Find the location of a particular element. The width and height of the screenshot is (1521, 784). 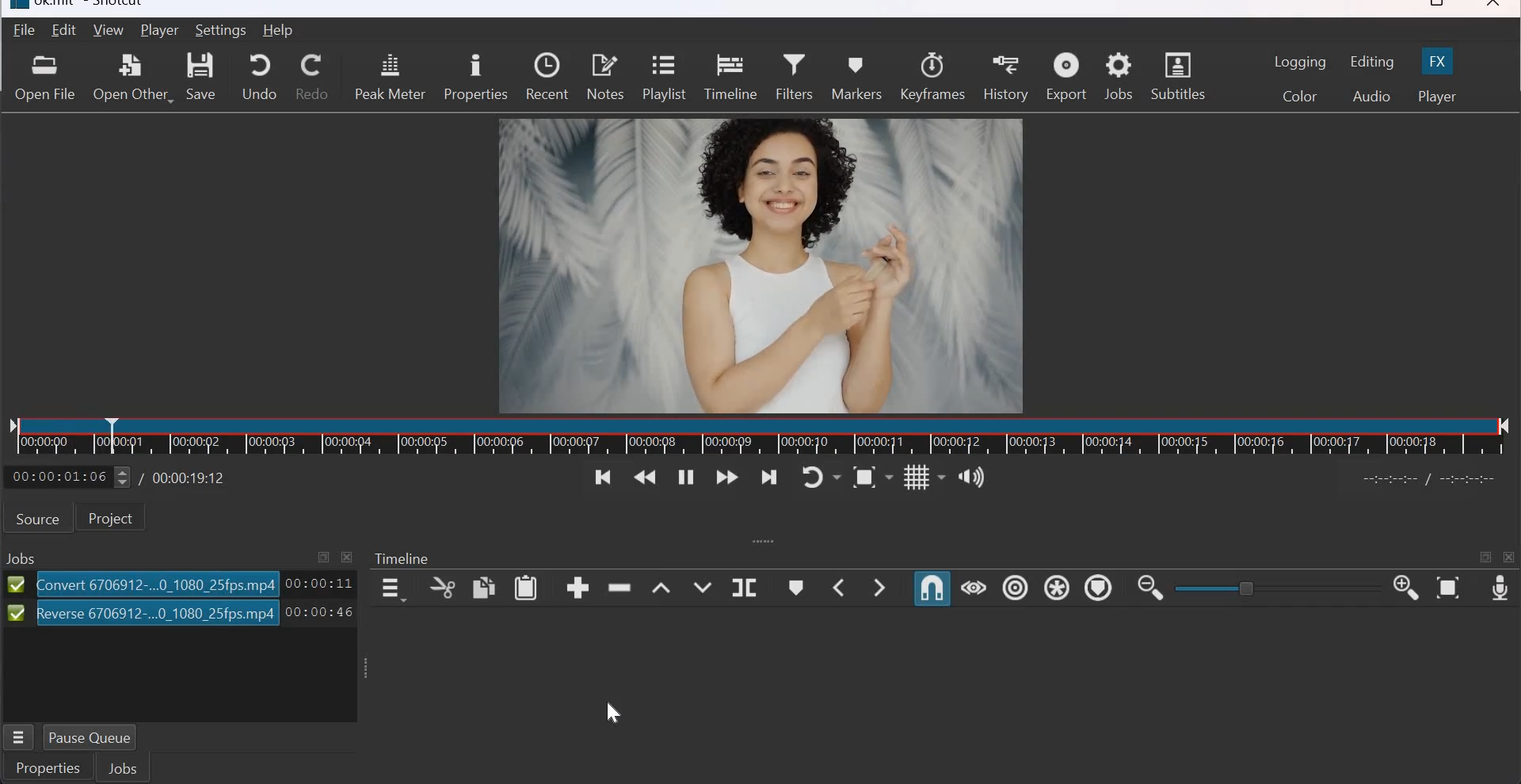

Toggle player looping is located at coordinates (822, 477).